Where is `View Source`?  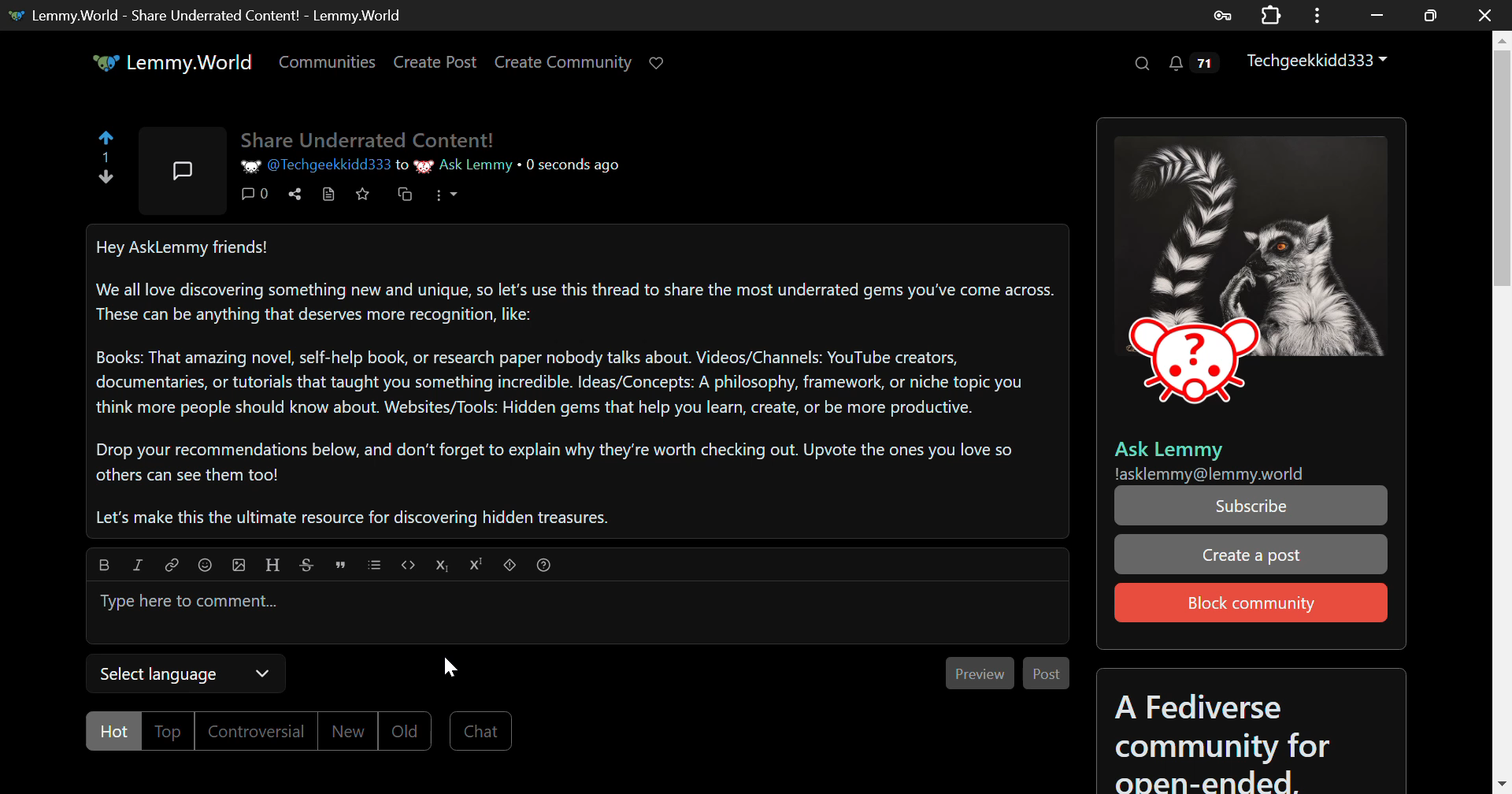 View Source is located at coordinates (329, 198).